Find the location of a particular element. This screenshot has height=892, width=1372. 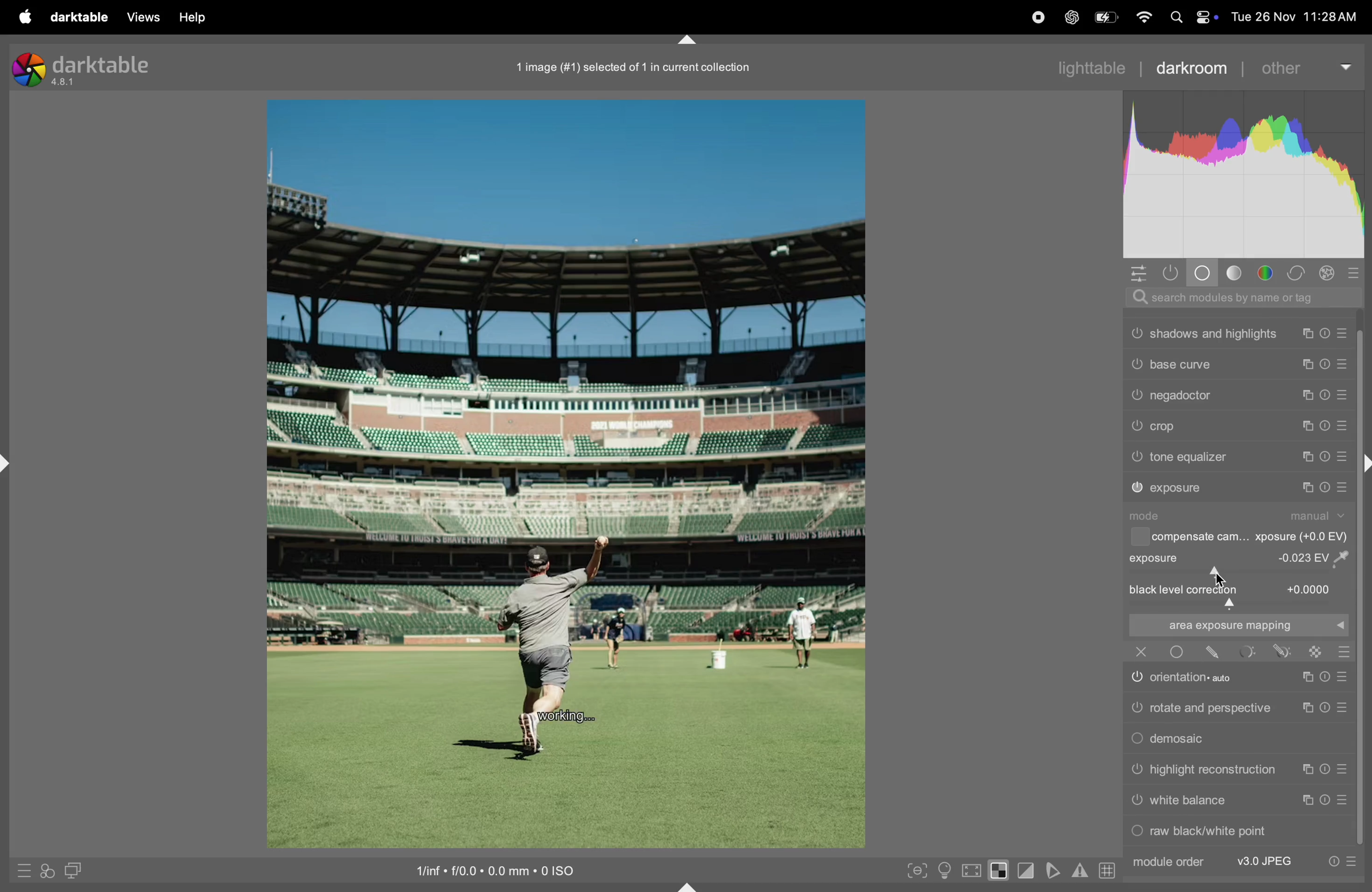

Preset is located at coordinates (1344, 770).